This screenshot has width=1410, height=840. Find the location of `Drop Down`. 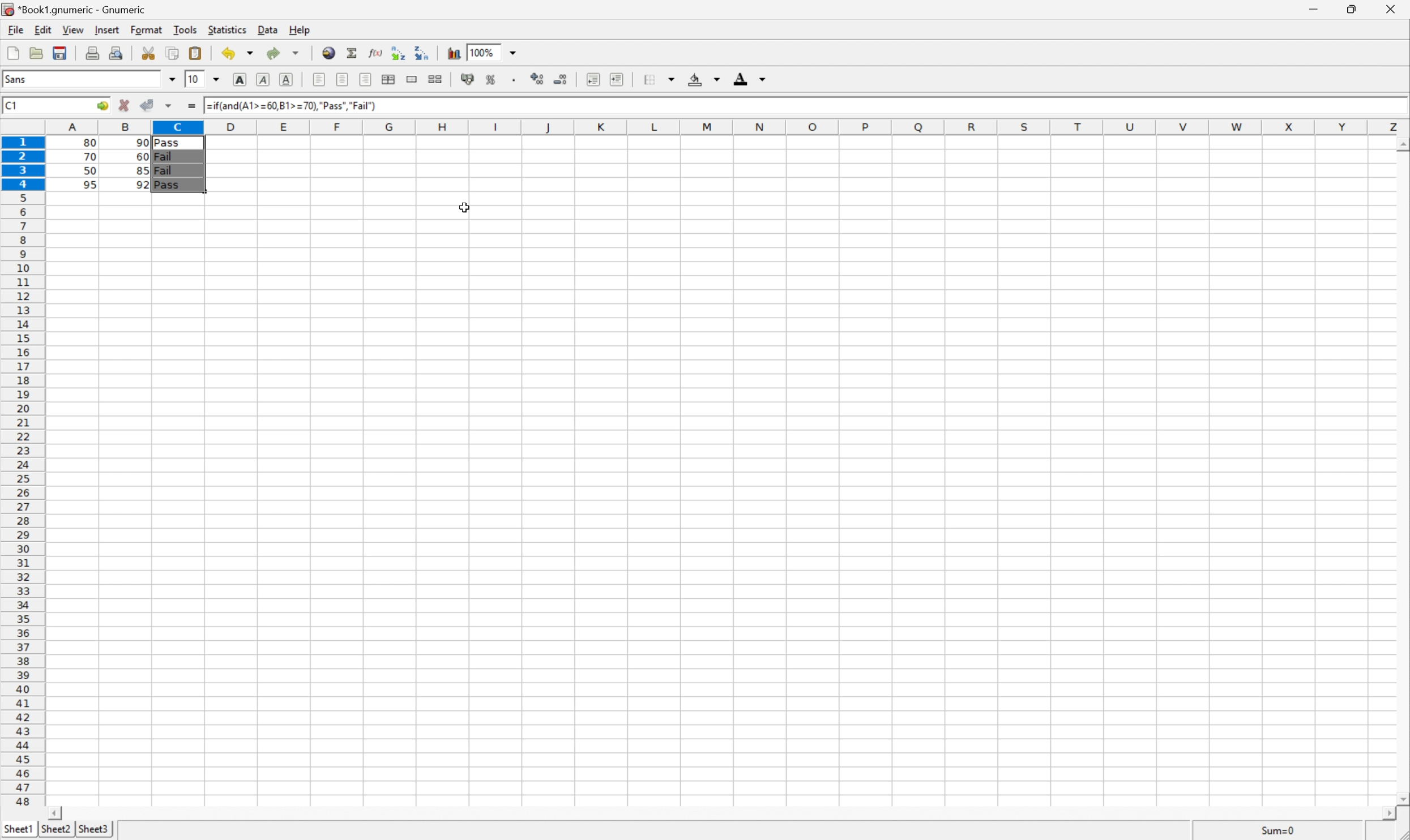

Drop Down is located at coordinates (220, 79).